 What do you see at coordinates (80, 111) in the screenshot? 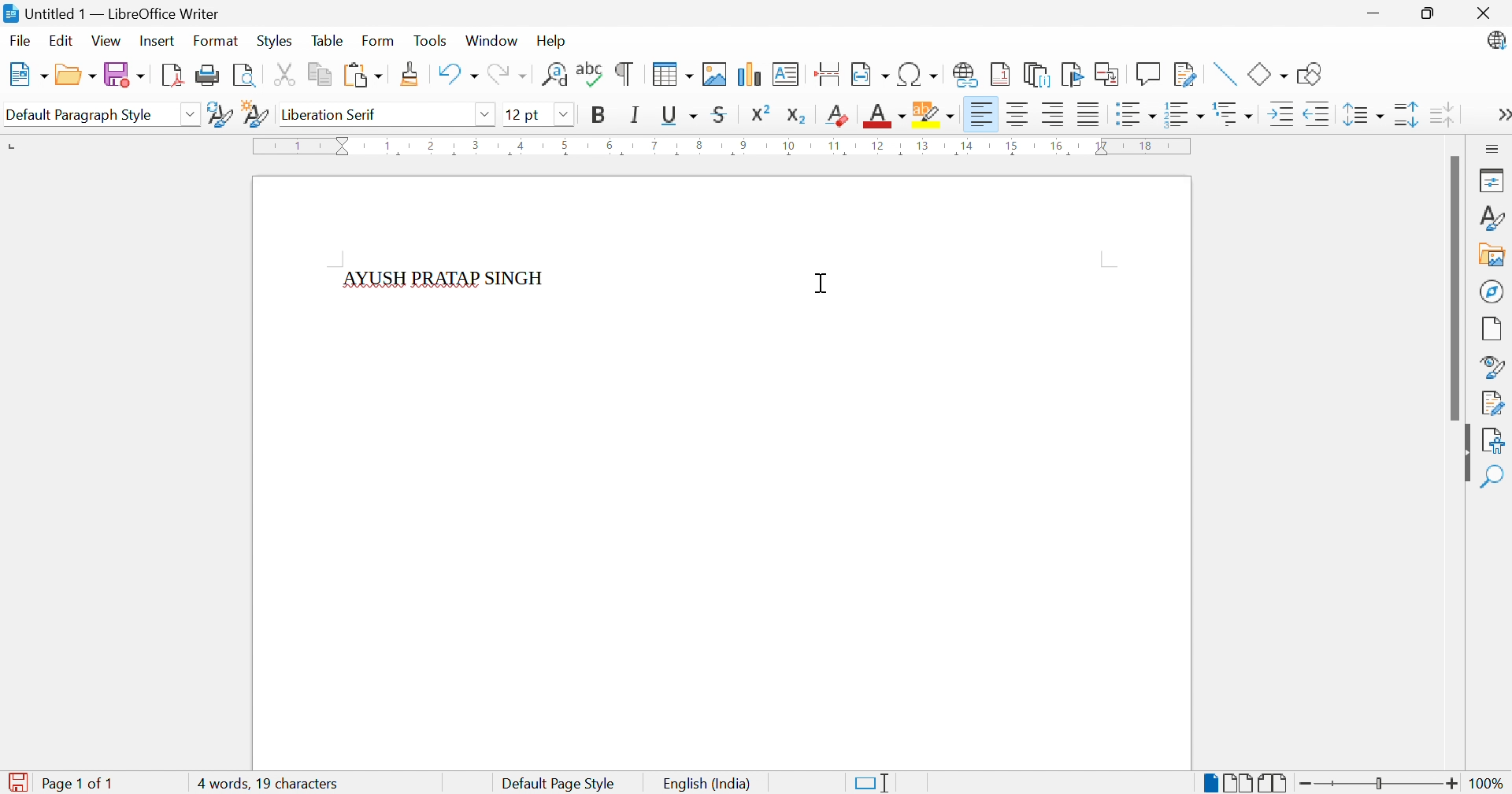
I see `Default Paragraph Style` at bounding box center [80, 111].